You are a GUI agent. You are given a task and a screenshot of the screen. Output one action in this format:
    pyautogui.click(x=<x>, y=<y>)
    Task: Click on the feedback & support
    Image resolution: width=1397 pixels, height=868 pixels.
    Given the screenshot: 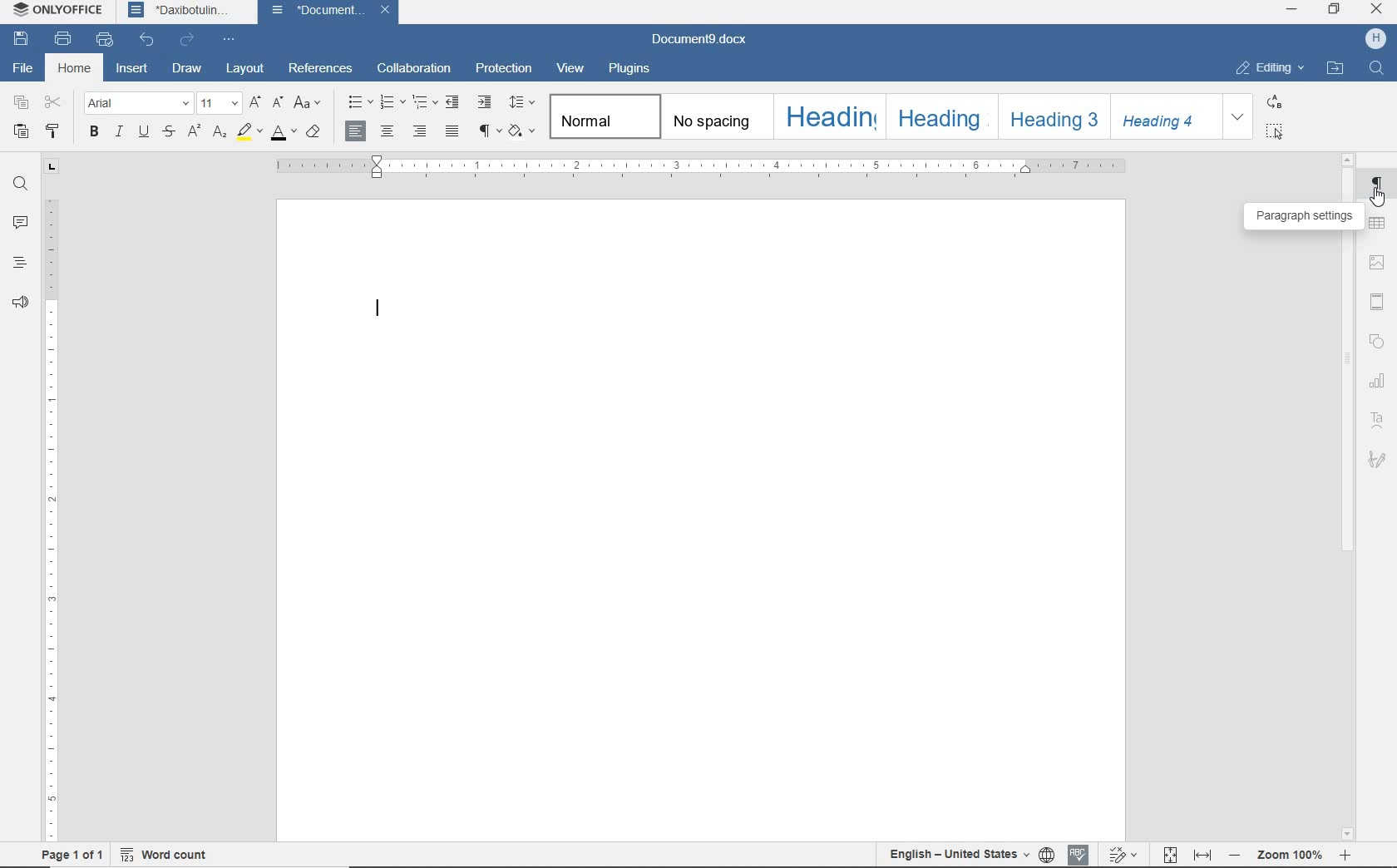 What is the action you would take?
    pyautogui.click(x=20, y=304)
    